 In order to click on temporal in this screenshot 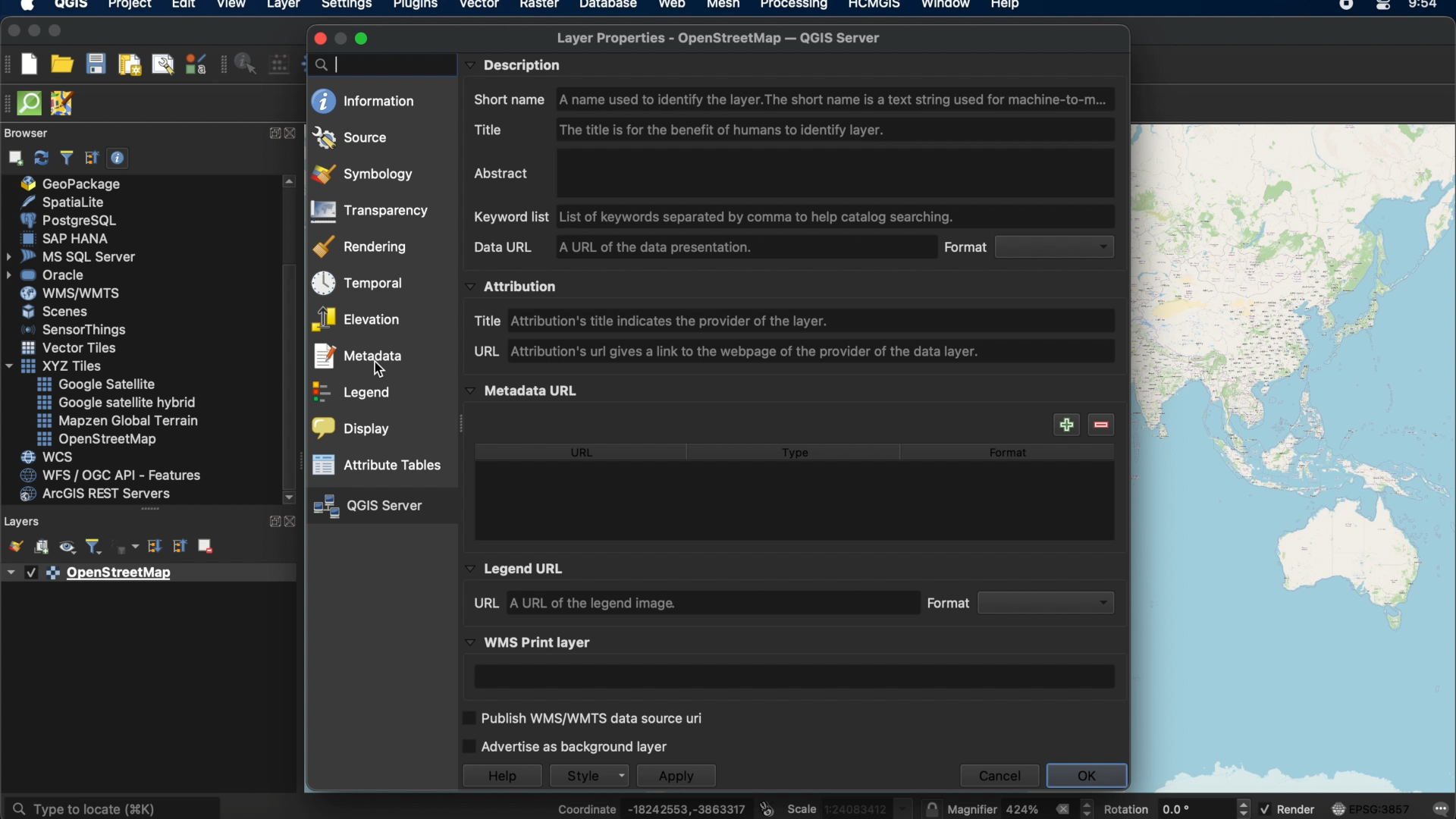, I will do `click(356, 284)`.